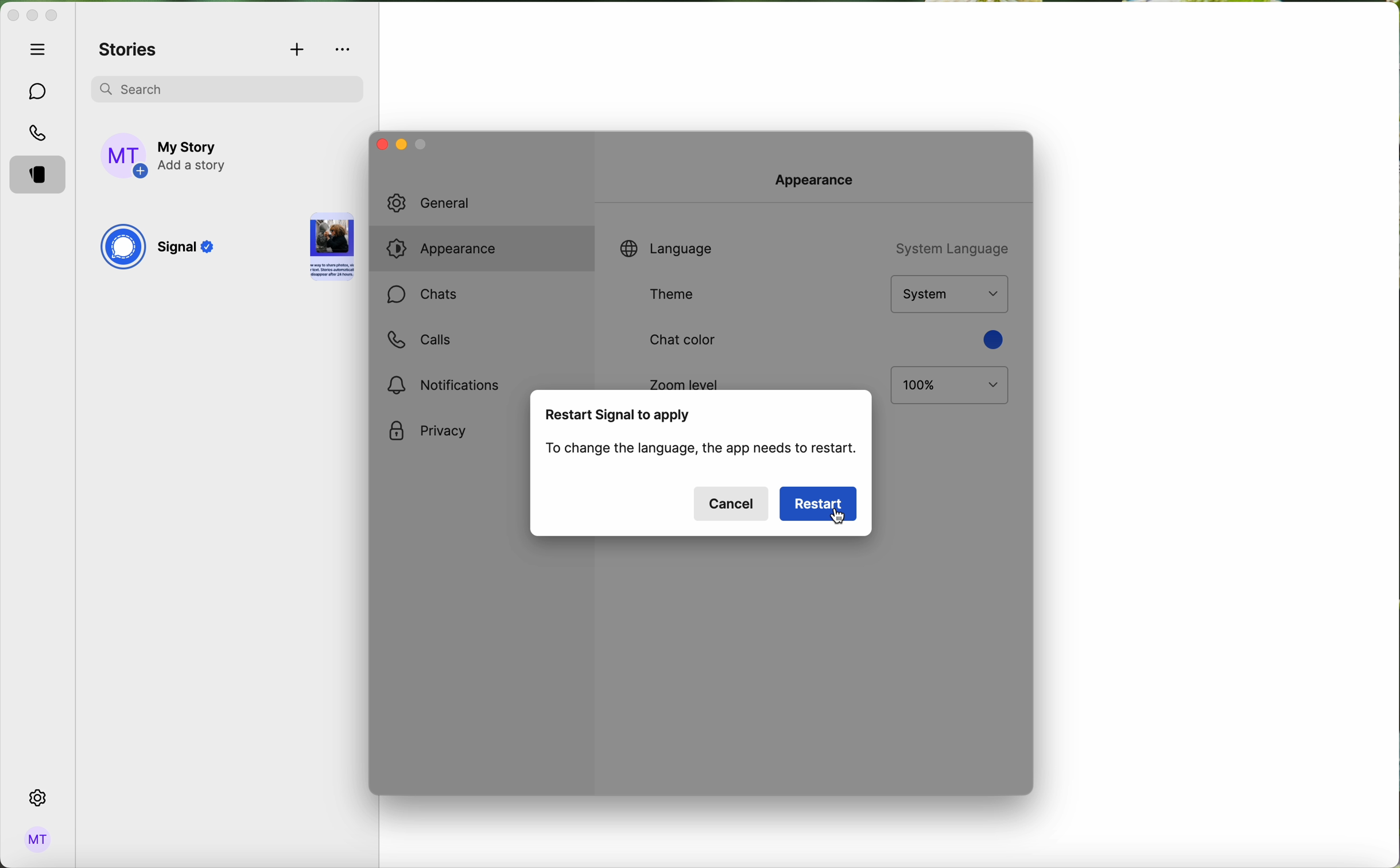 The image size is (1400, 868). What do you see at coordinates (344, 49) in the screenshot?
I see `more options` at bounding box center [344, 49].